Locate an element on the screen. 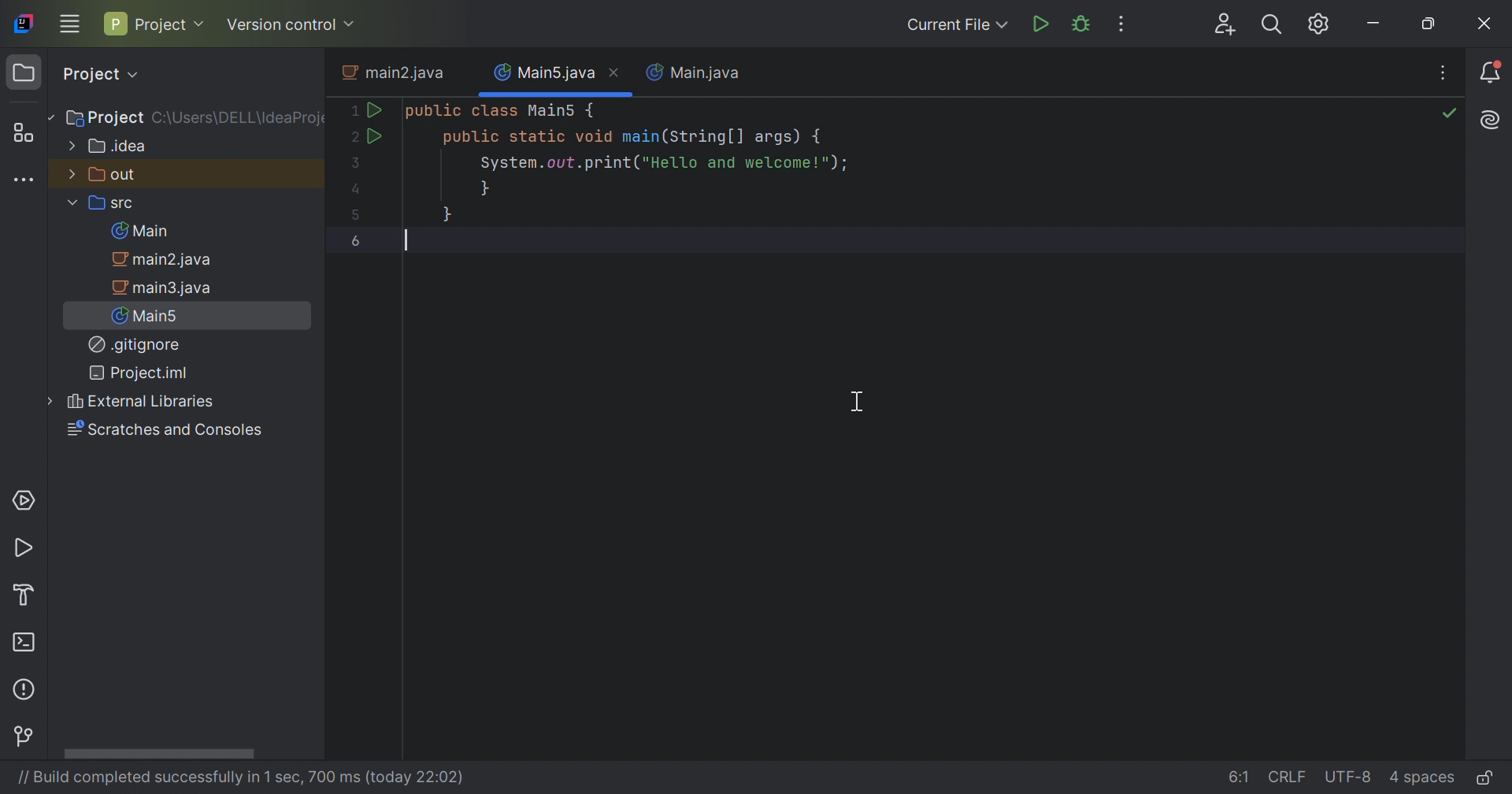 This screenshot has height=794, width=1512. src is located at coordinates (103, 205).